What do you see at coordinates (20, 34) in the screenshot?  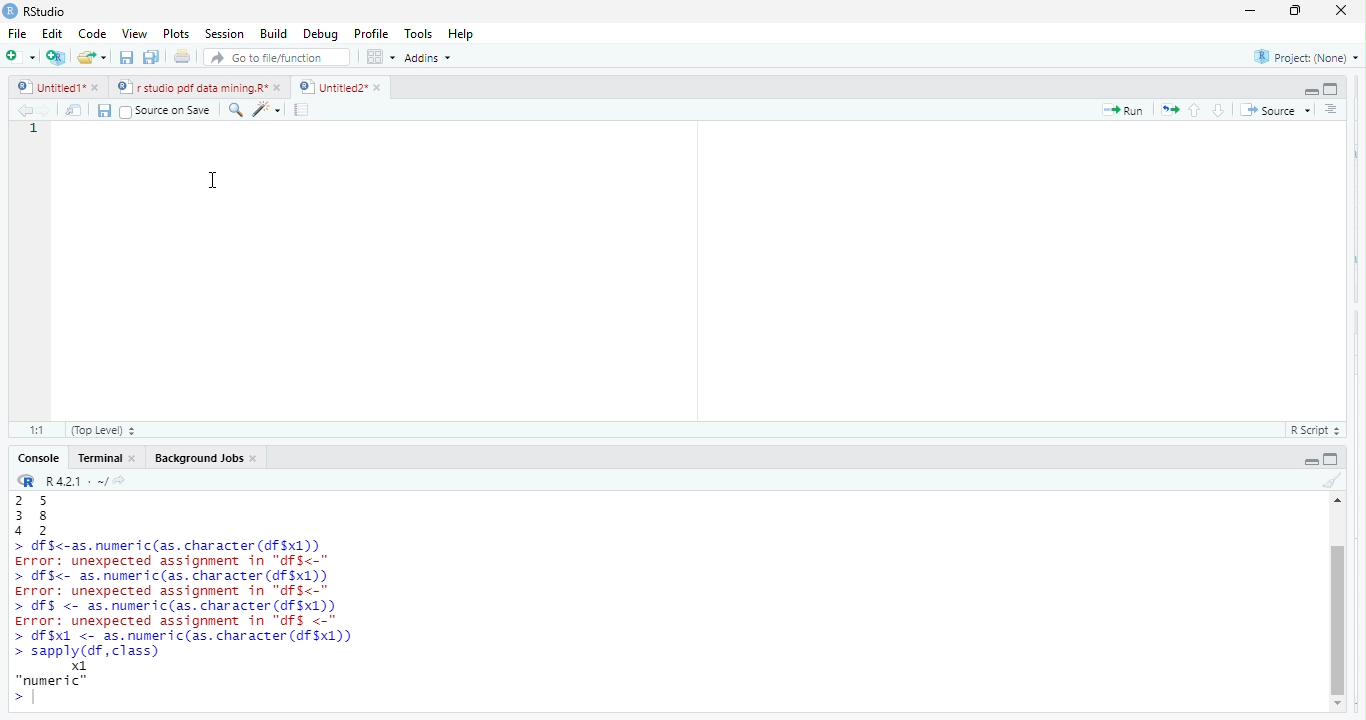 I see `file` at bounding box center [20, 34].